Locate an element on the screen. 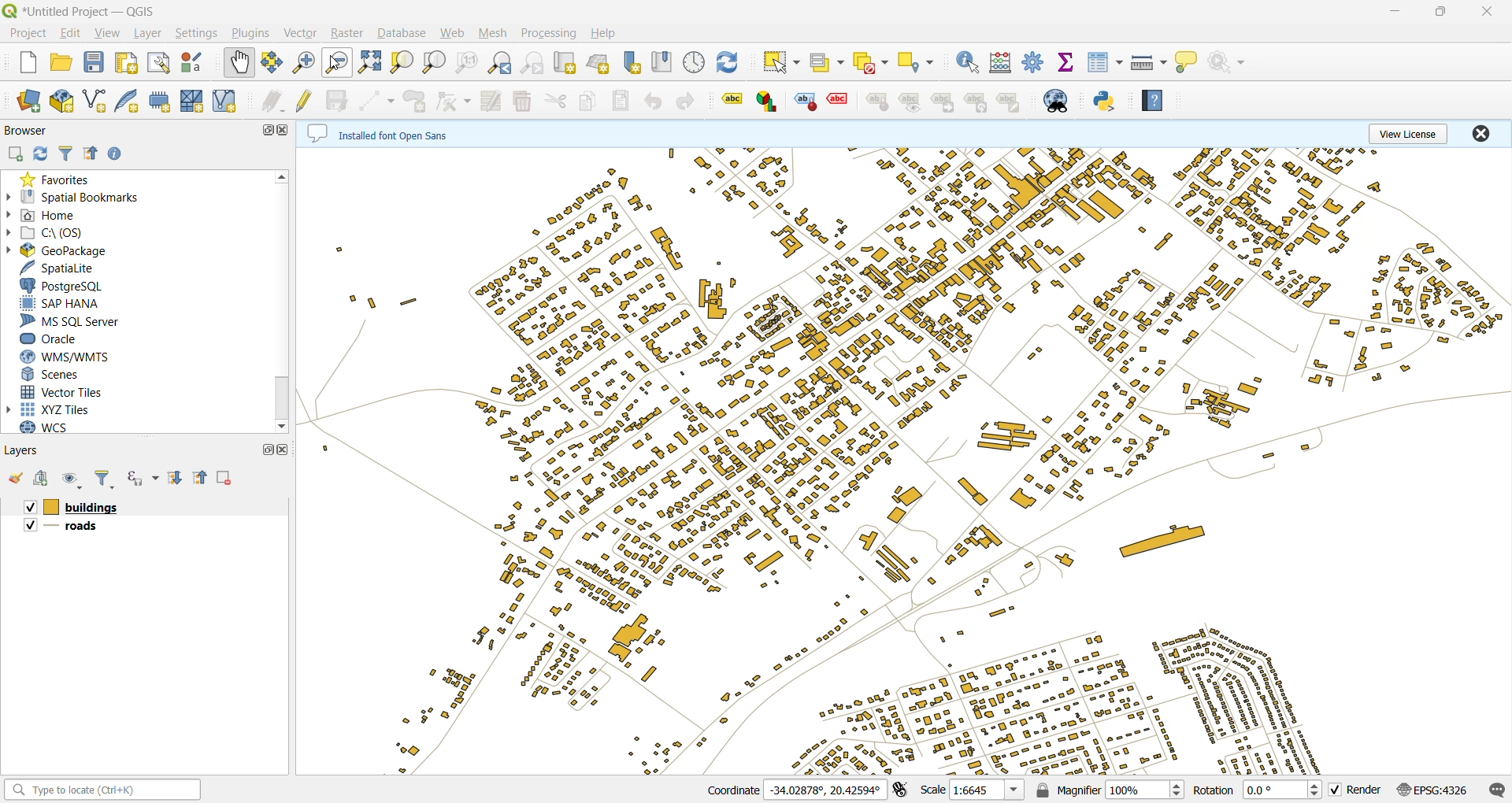  spatial bookmarks is located at coordinates (78, 198).